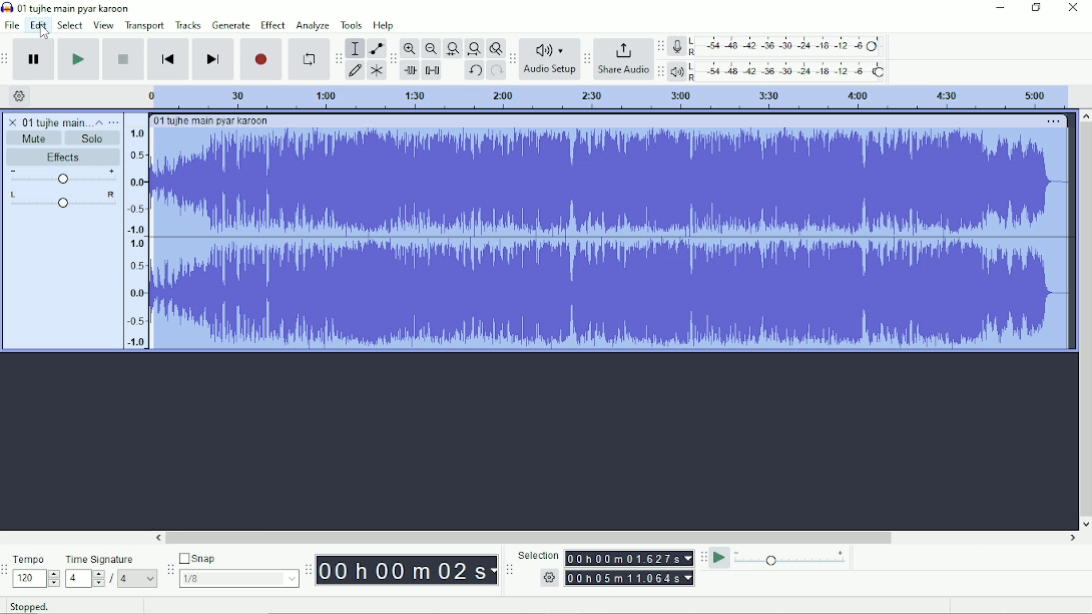 The width and height of the screenshot is (1092, 614). Describe the element at coordinates (135, 232) in the screenshot. I see `Sound` at that location.